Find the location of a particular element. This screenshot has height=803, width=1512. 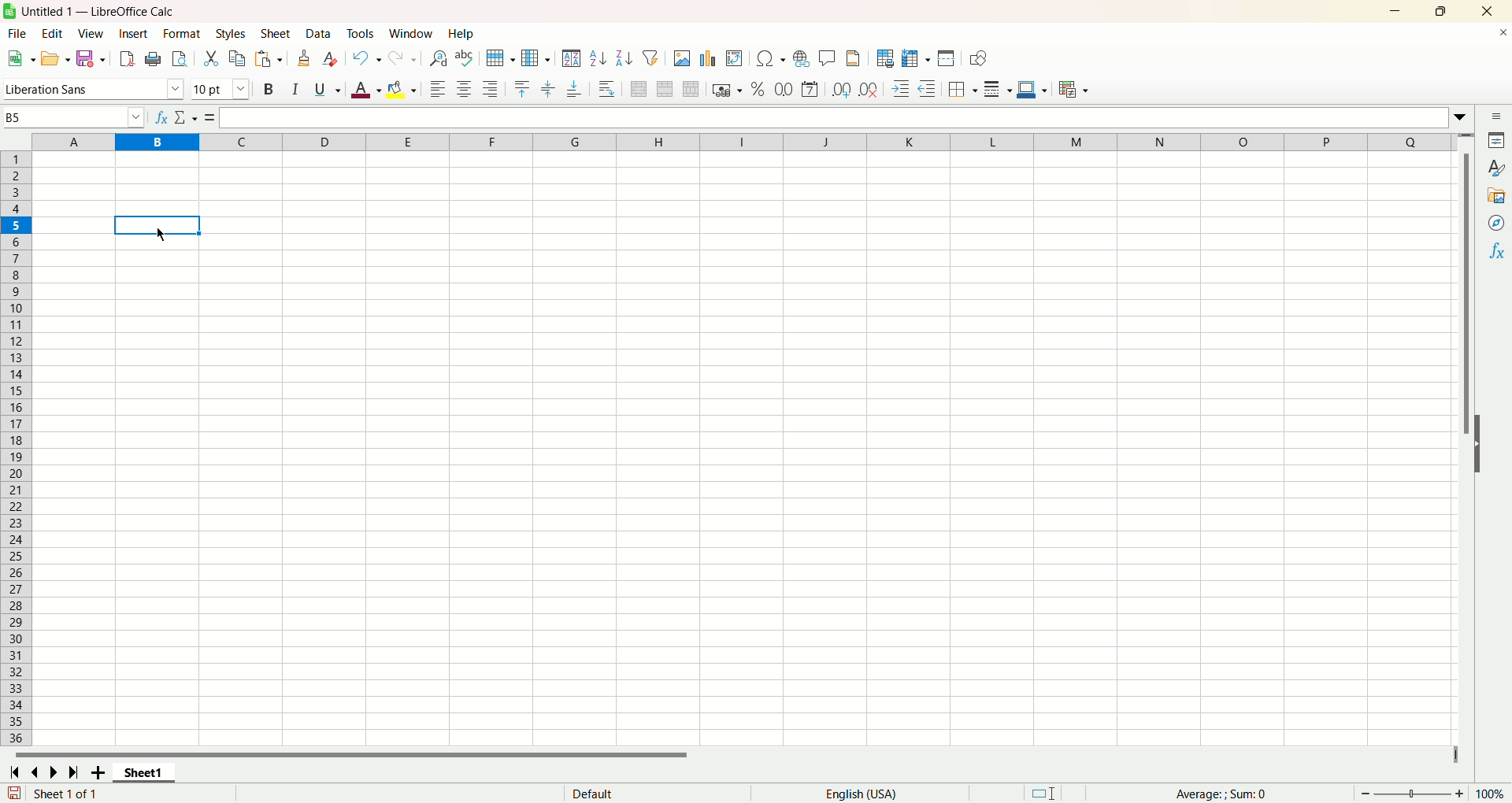

insert pivot table is located at coordinates (735, 58).